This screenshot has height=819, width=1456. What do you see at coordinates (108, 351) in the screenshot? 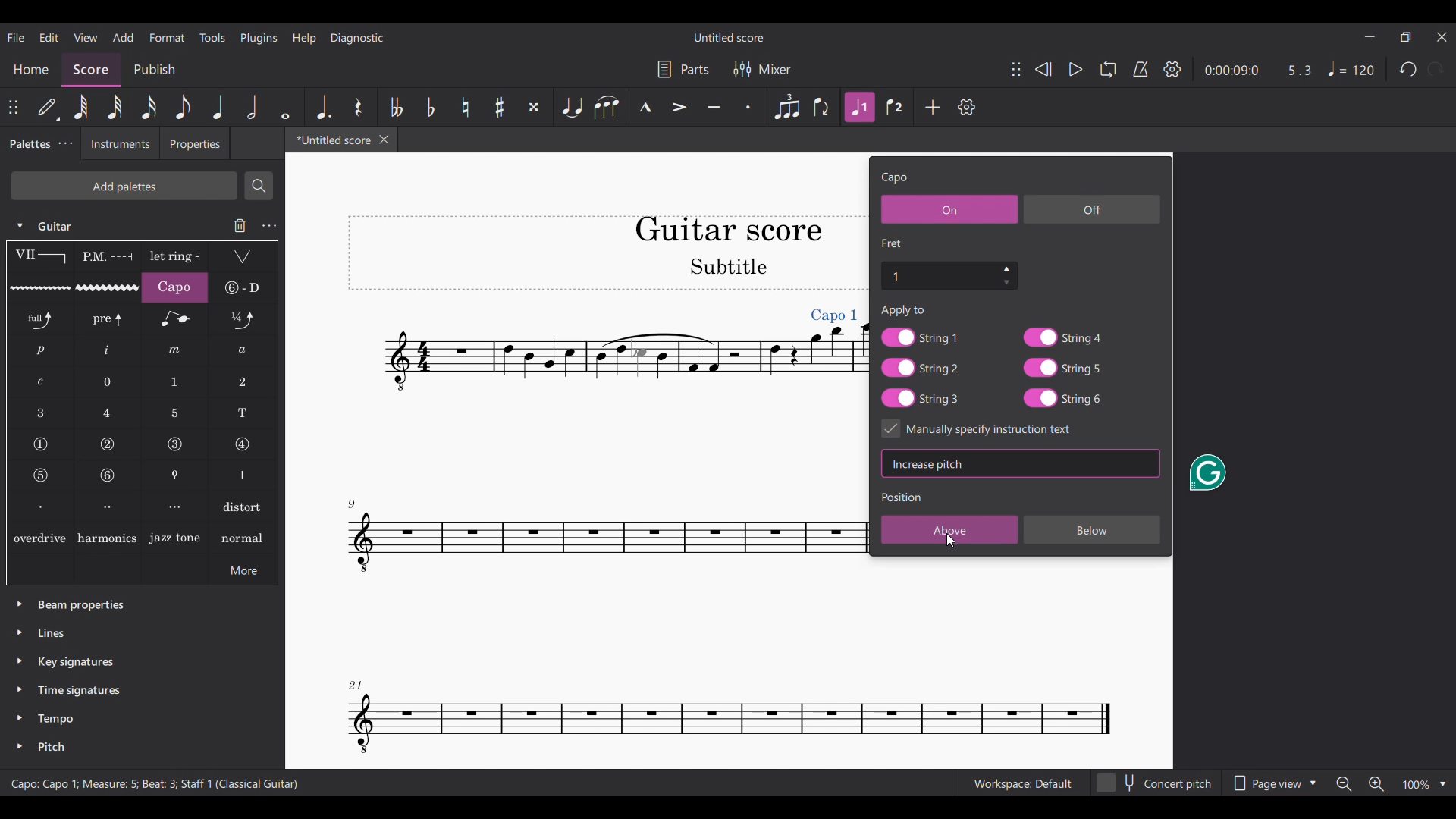
I see `RH guitar fingering i` at bounding box center [108, 351].